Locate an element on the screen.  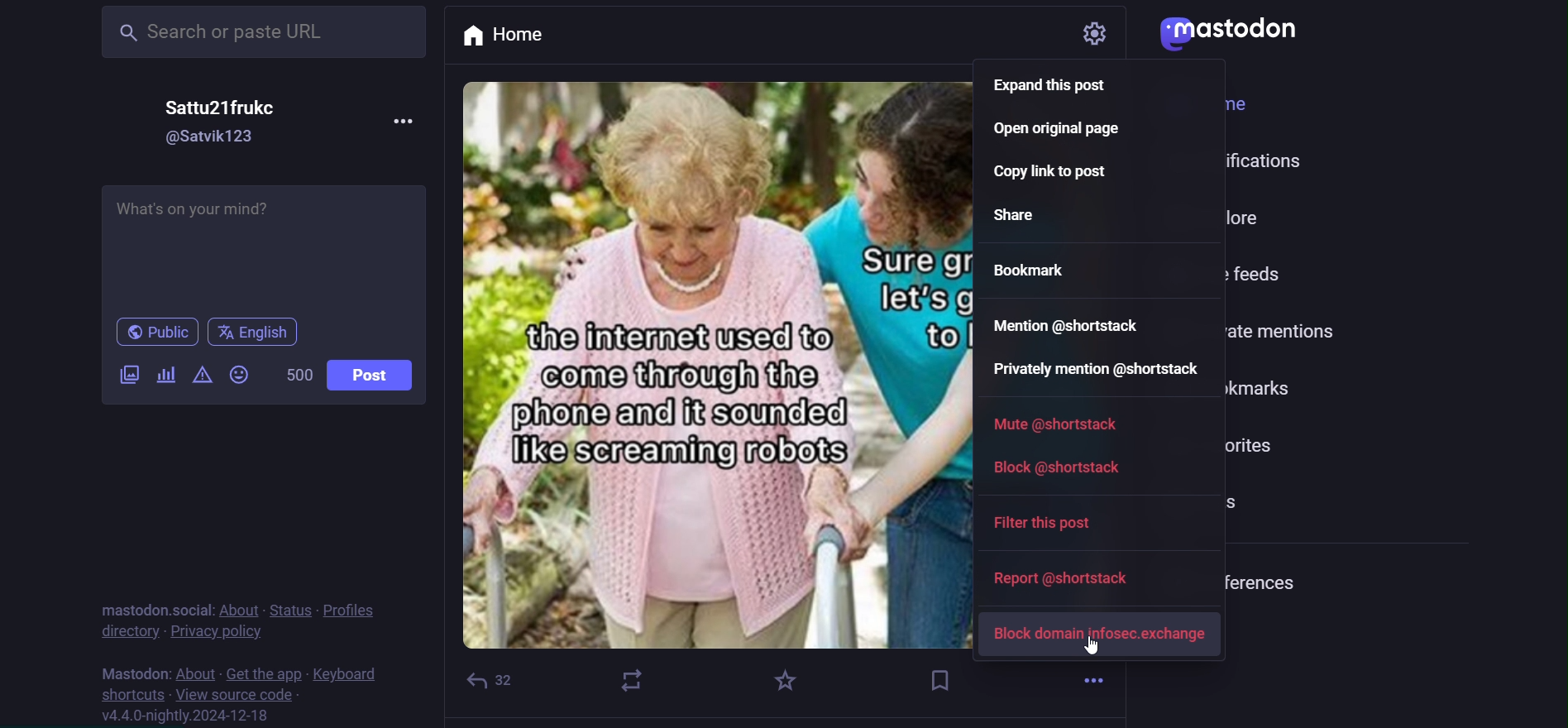
about is located at coordinates (197, 673).